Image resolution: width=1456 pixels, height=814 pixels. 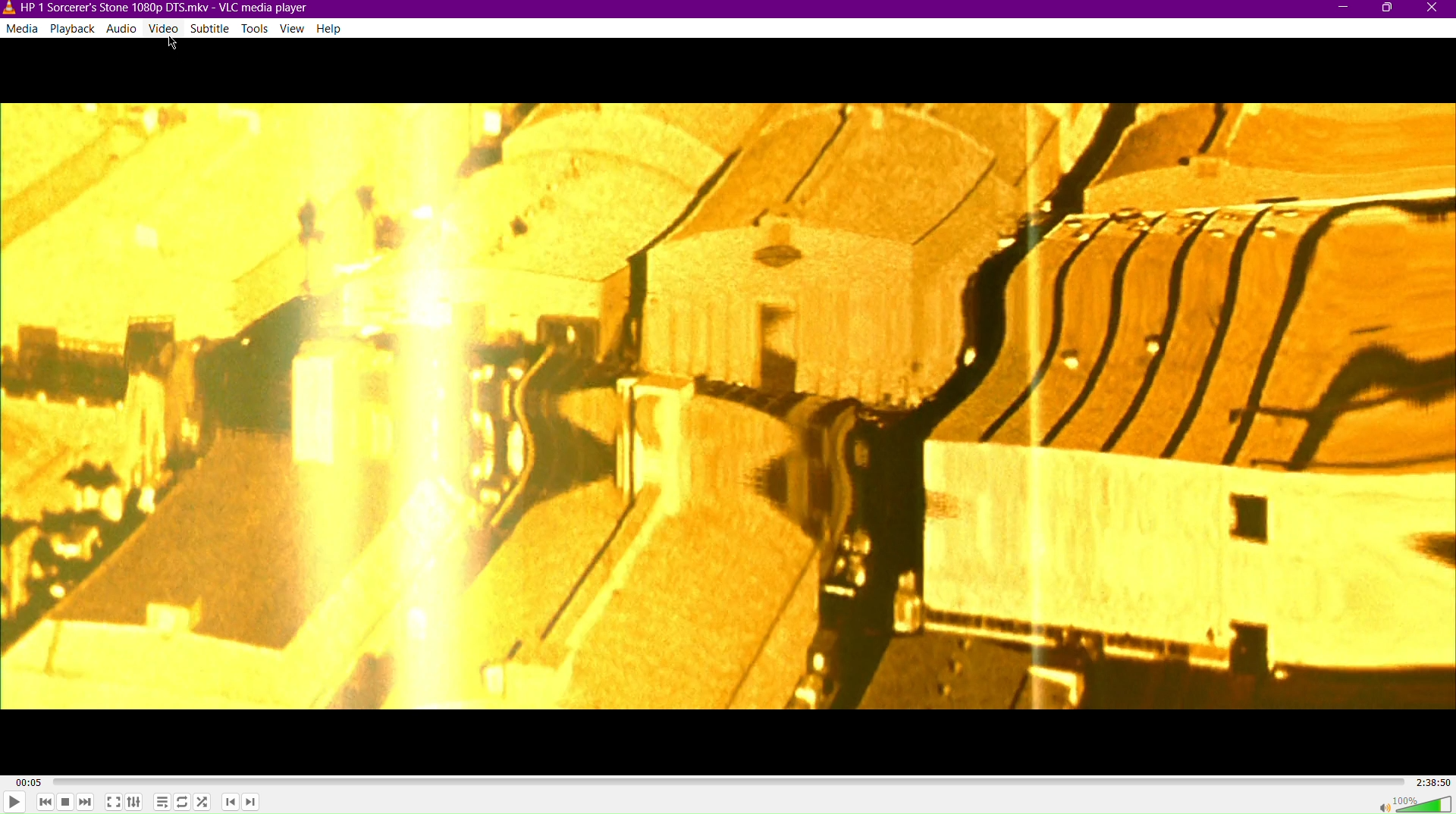 What do you see at coordinates (212, 29) in the screenshot?
I see `Subtitle` at bounding box center [212, 29].